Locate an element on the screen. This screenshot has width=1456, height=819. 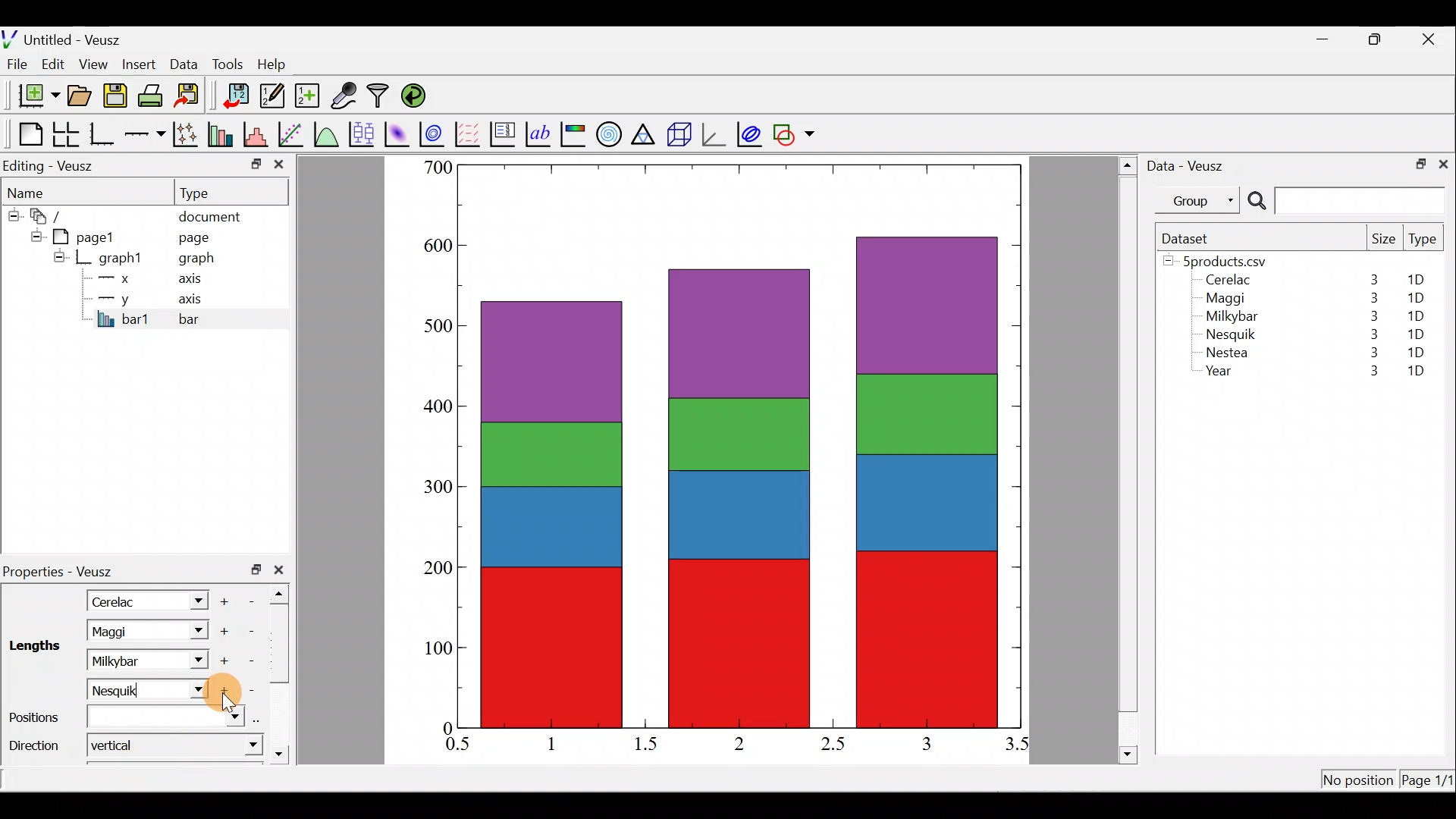
Editing - Veusz is located at coordinates (52, 165).